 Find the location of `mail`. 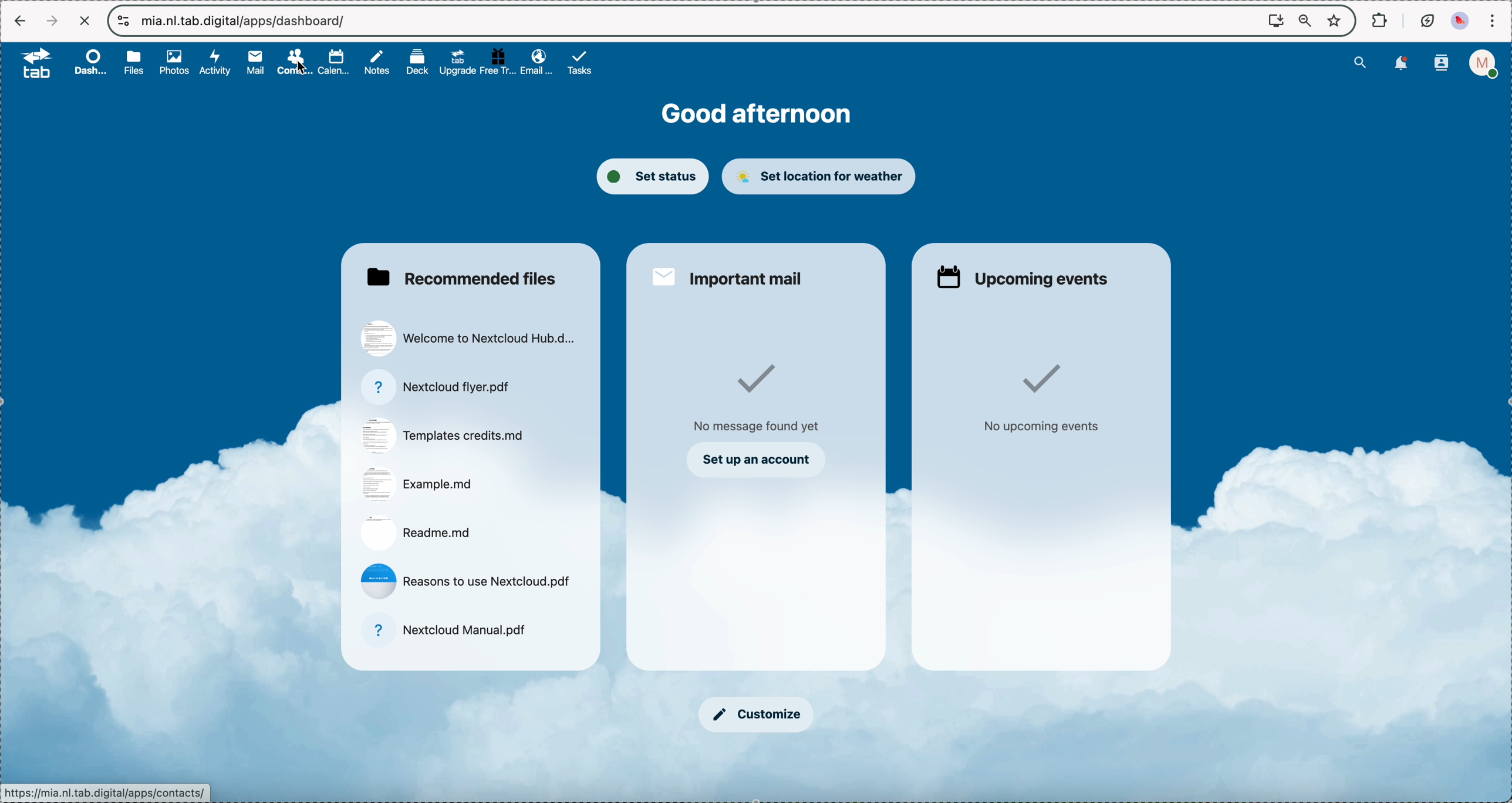

mail is located at coordinates (254, 63).